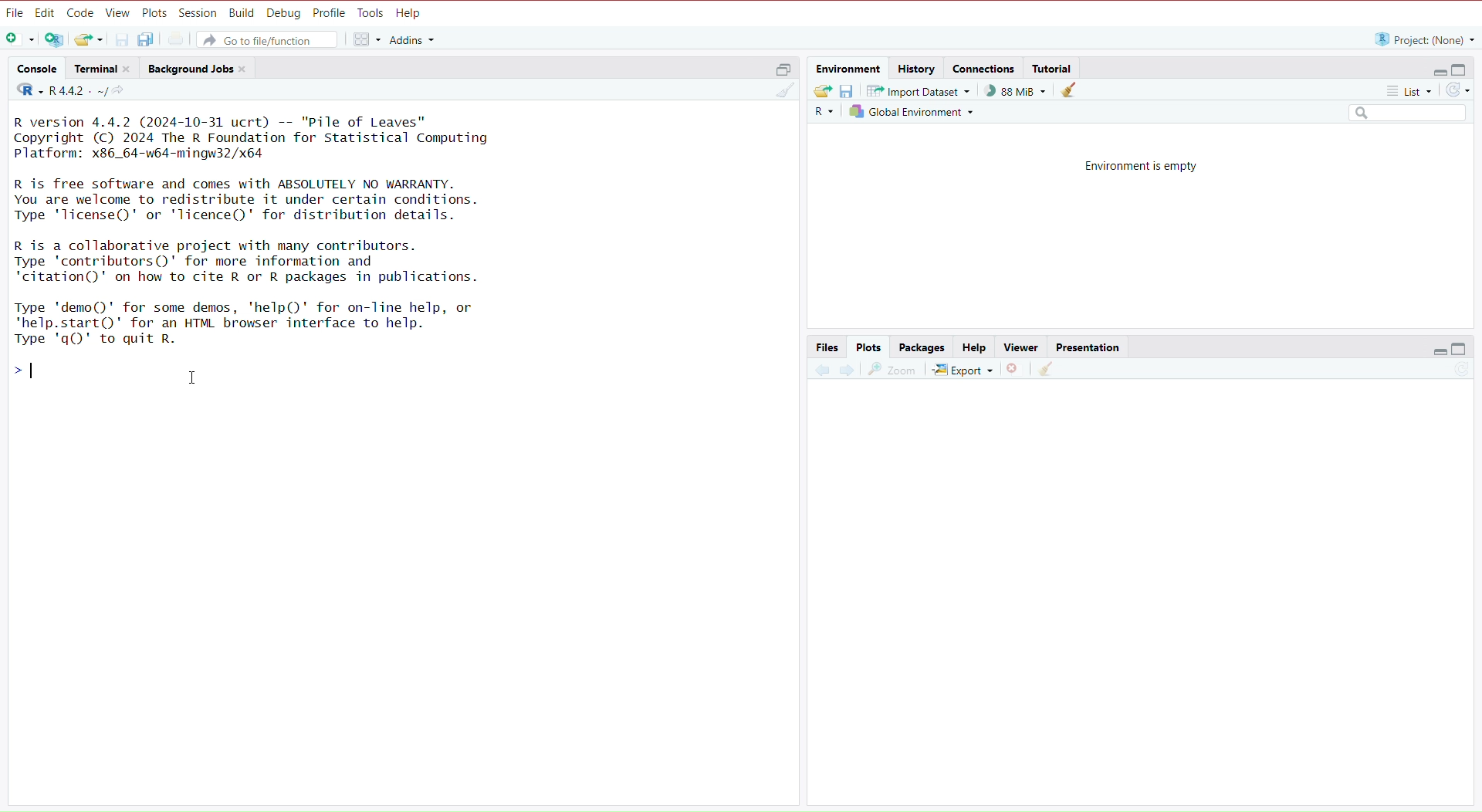 The height and width of the screenshot is (812, 1482). Describe the element at coordinates (1142, 164) in the screenshot. I see `Environment is empty` at that location.